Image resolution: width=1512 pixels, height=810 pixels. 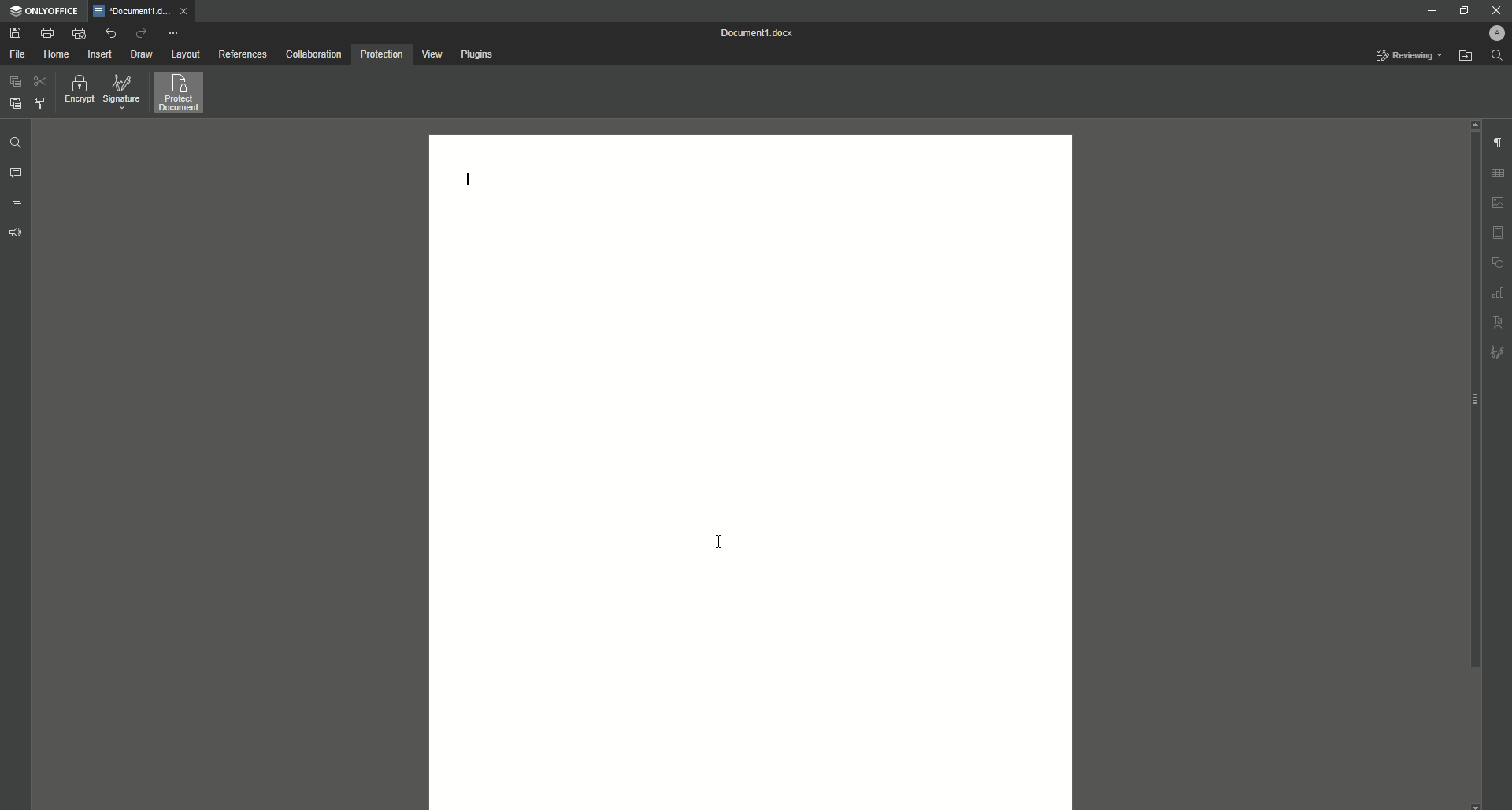 I want to click on Restore, so click(x=1463, y=11).